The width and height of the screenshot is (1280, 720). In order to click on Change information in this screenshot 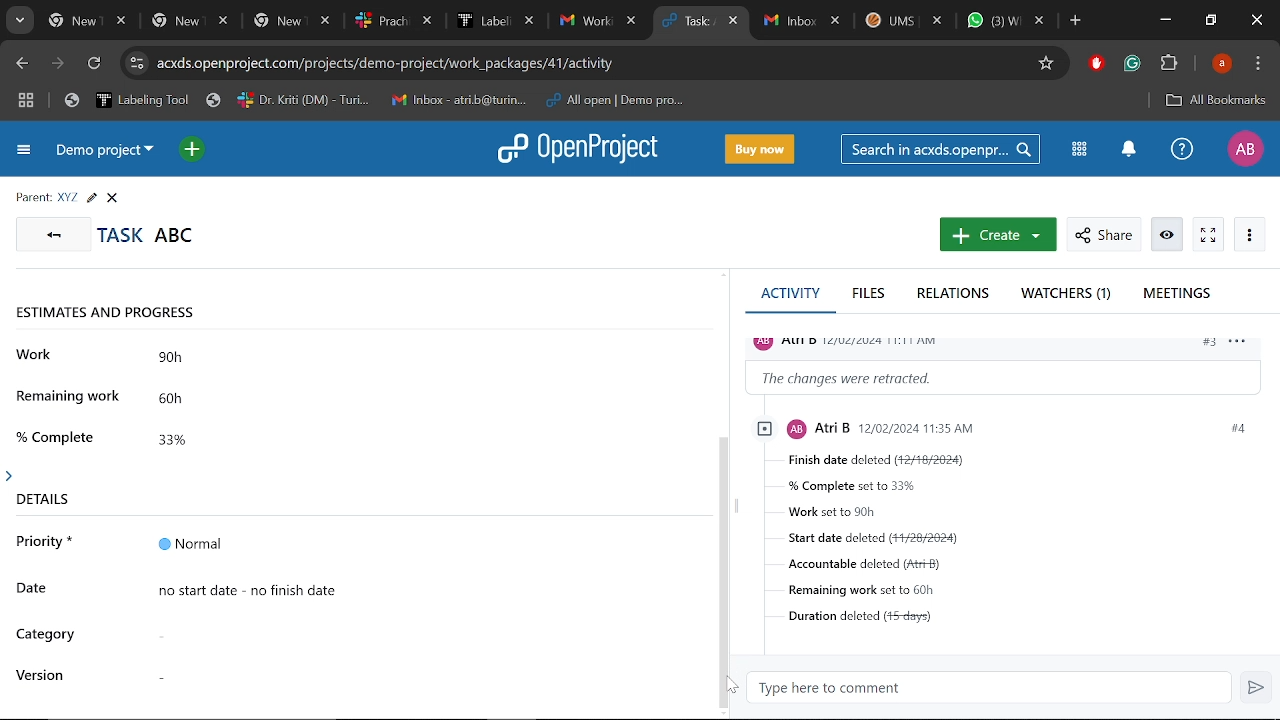, I will do `click(1006, 377)`.